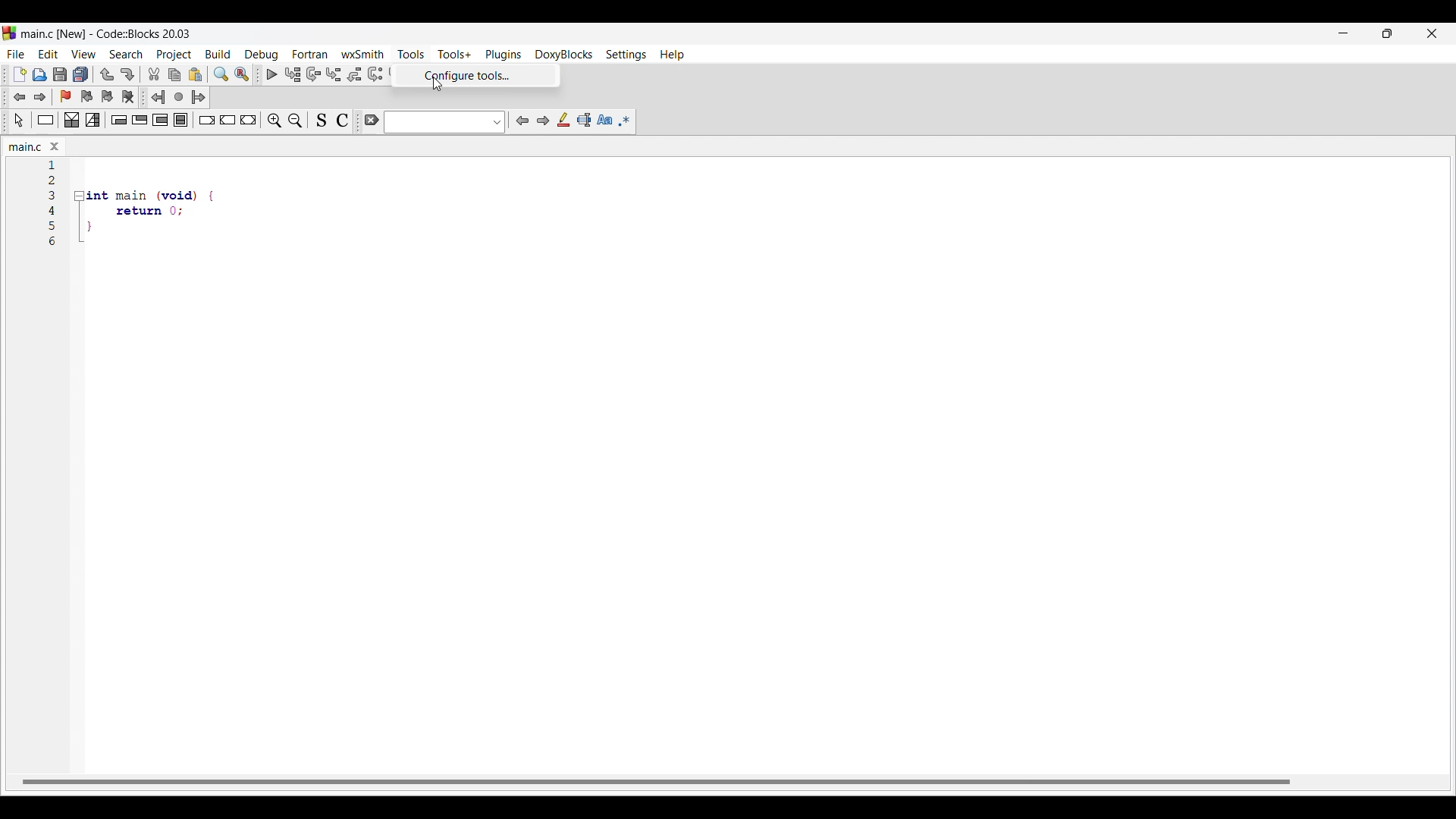 The image size is (1456, 819). Describe the element at coordinates (322, 121) in the screenshot. I see `Toggle source` at that location.